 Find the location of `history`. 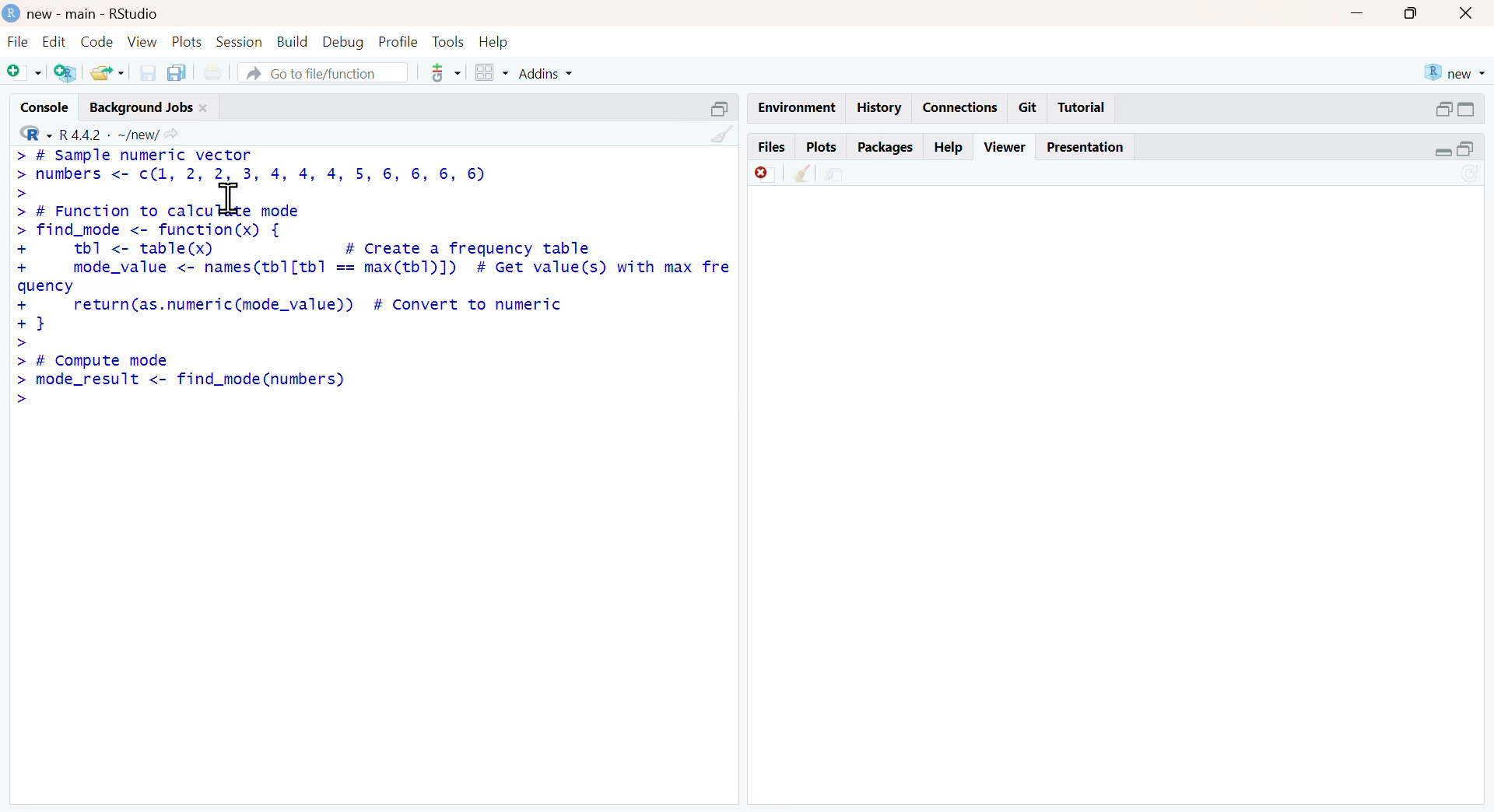

history is located at coordinates (881, 108).